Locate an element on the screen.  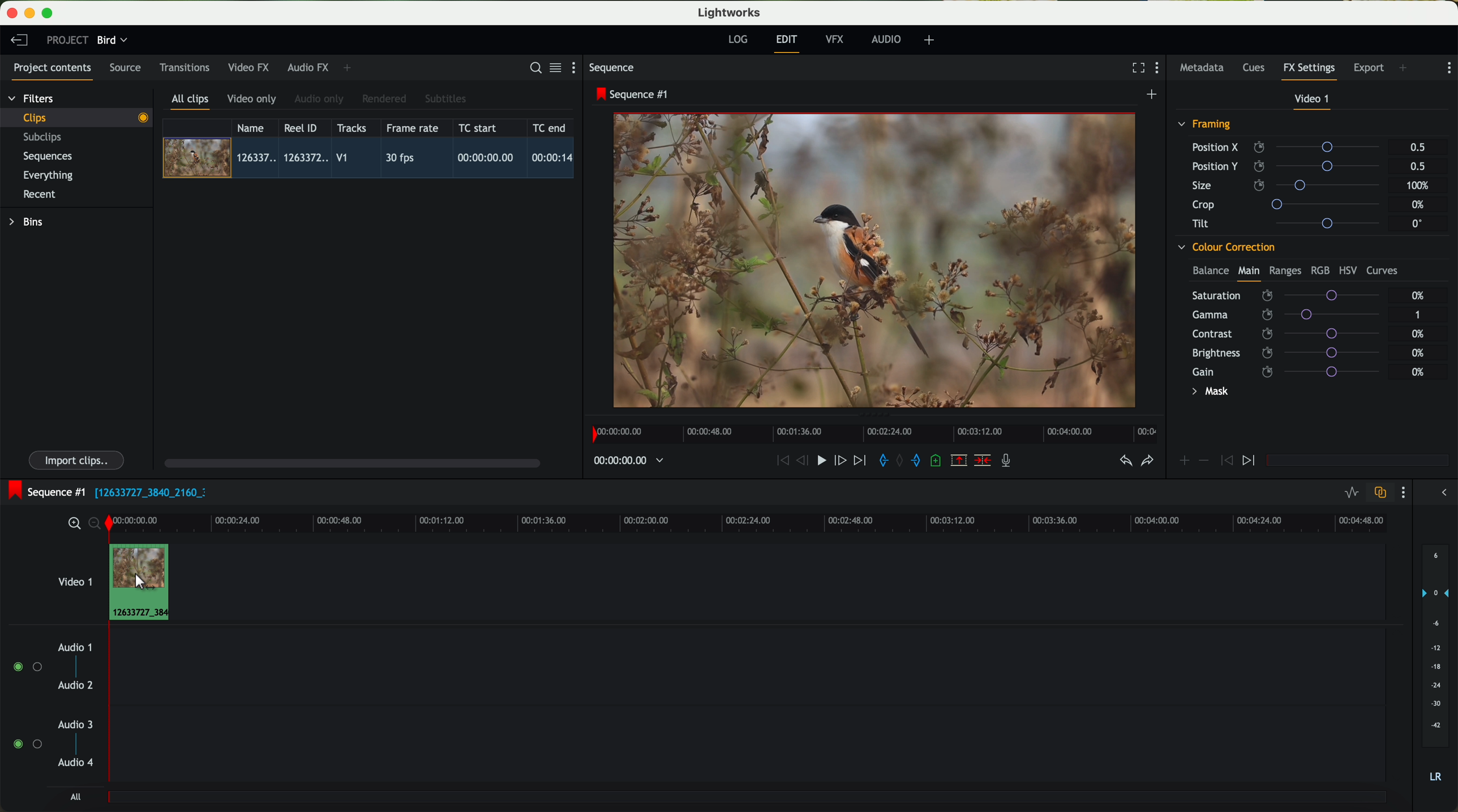
show/hide the full audio mix is located at coordinates (1440, 493).